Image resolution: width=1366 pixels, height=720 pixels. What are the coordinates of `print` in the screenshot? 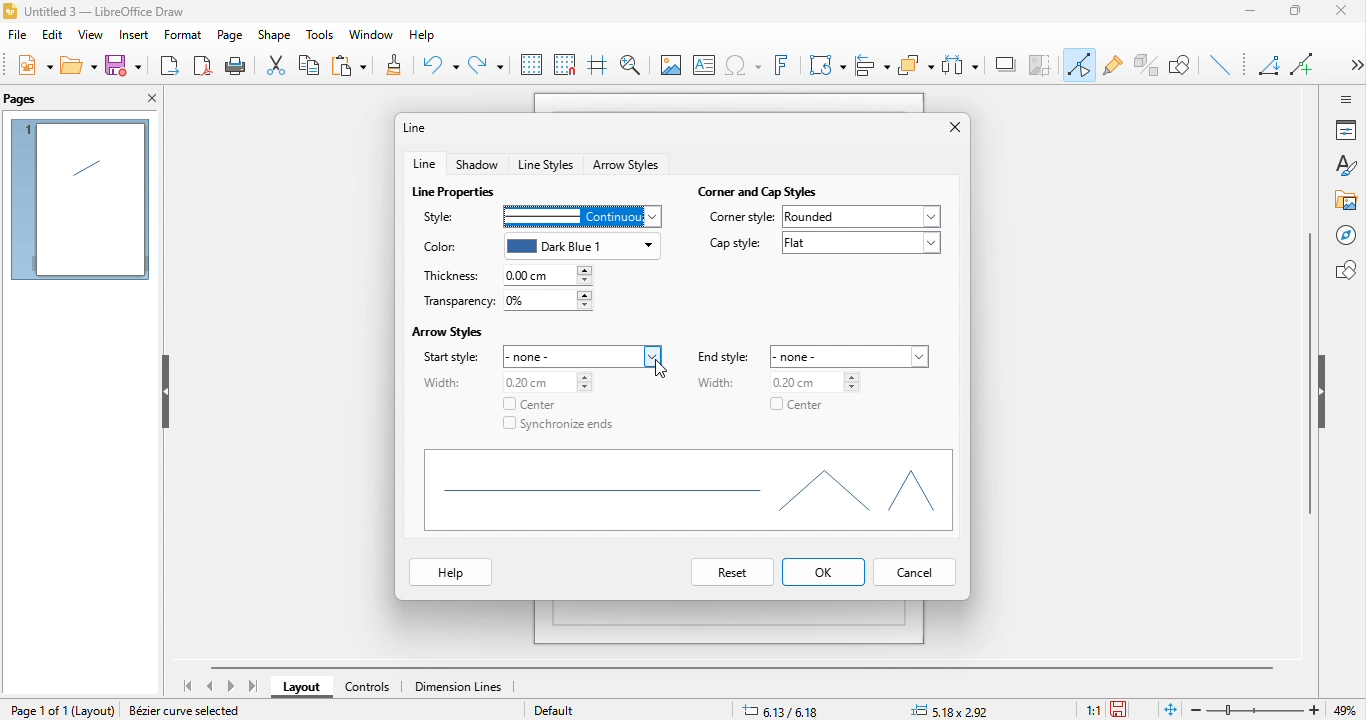 It's located at (236, 66).